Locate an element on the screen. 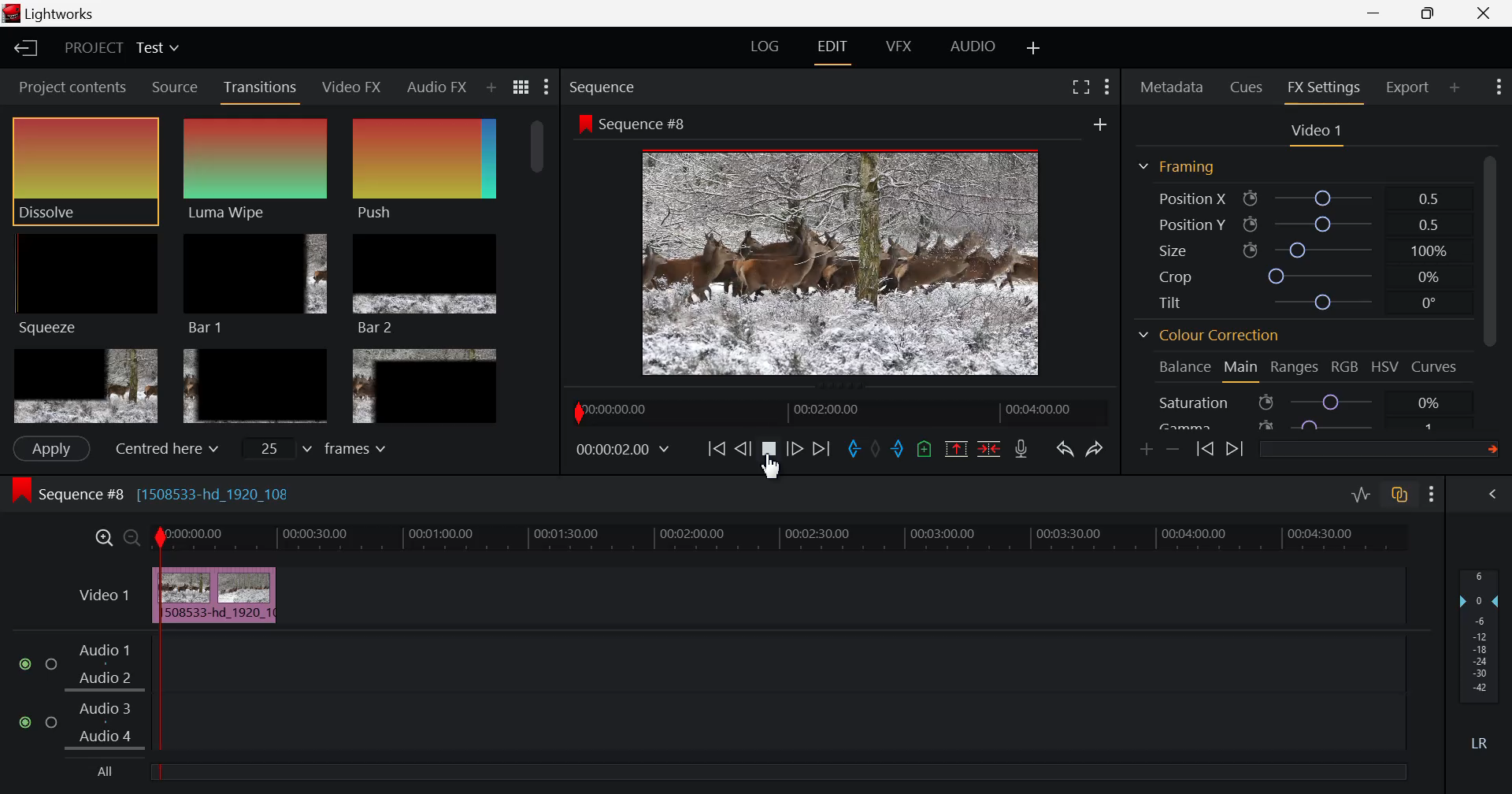 This screenshot has height=794, width=1512. Lightworks is located at coordinates (56, 14).